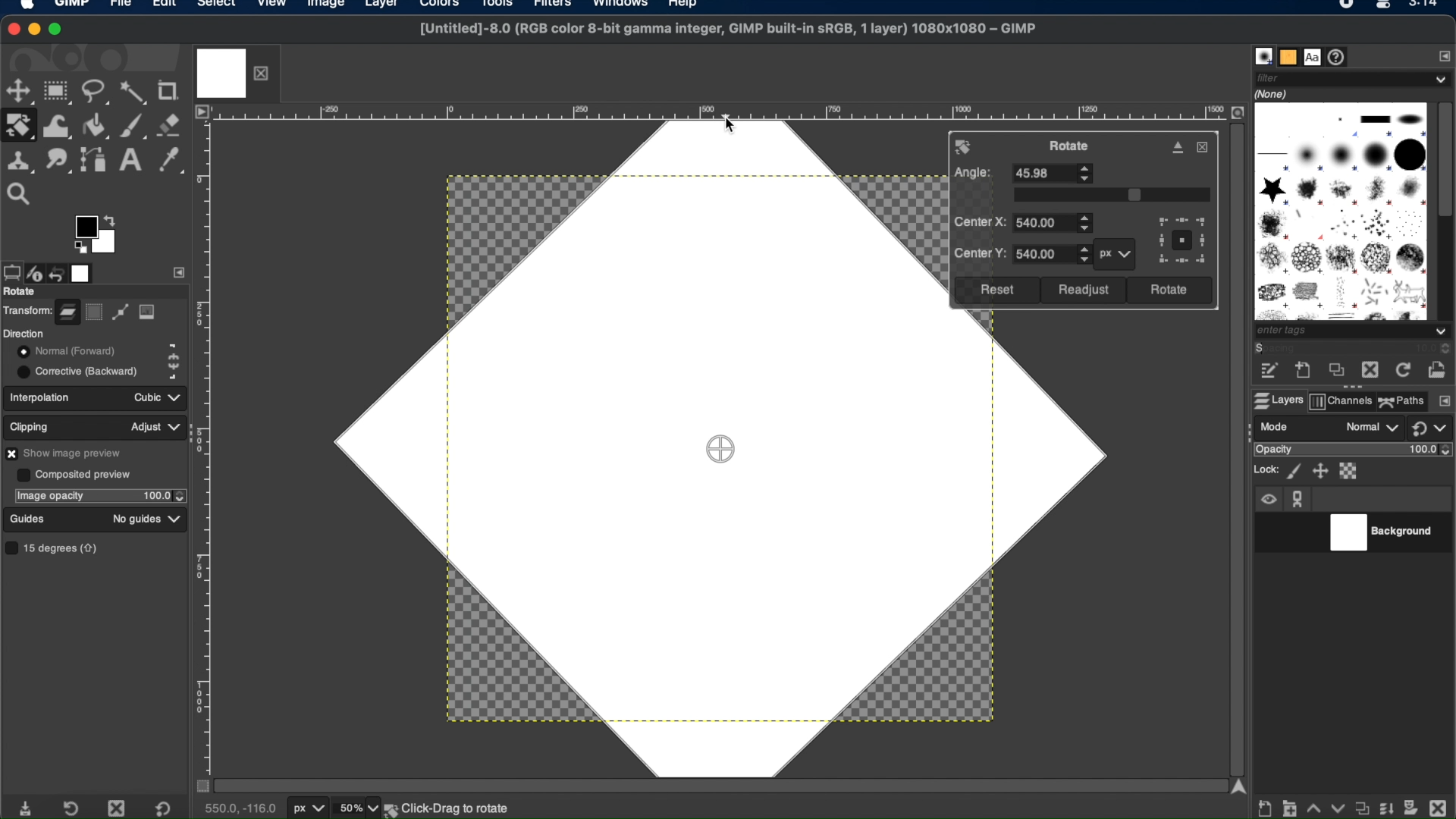 Image resolution: width=1456 pixels, height=819 pixels. I want to click on images, so click(83, 272).